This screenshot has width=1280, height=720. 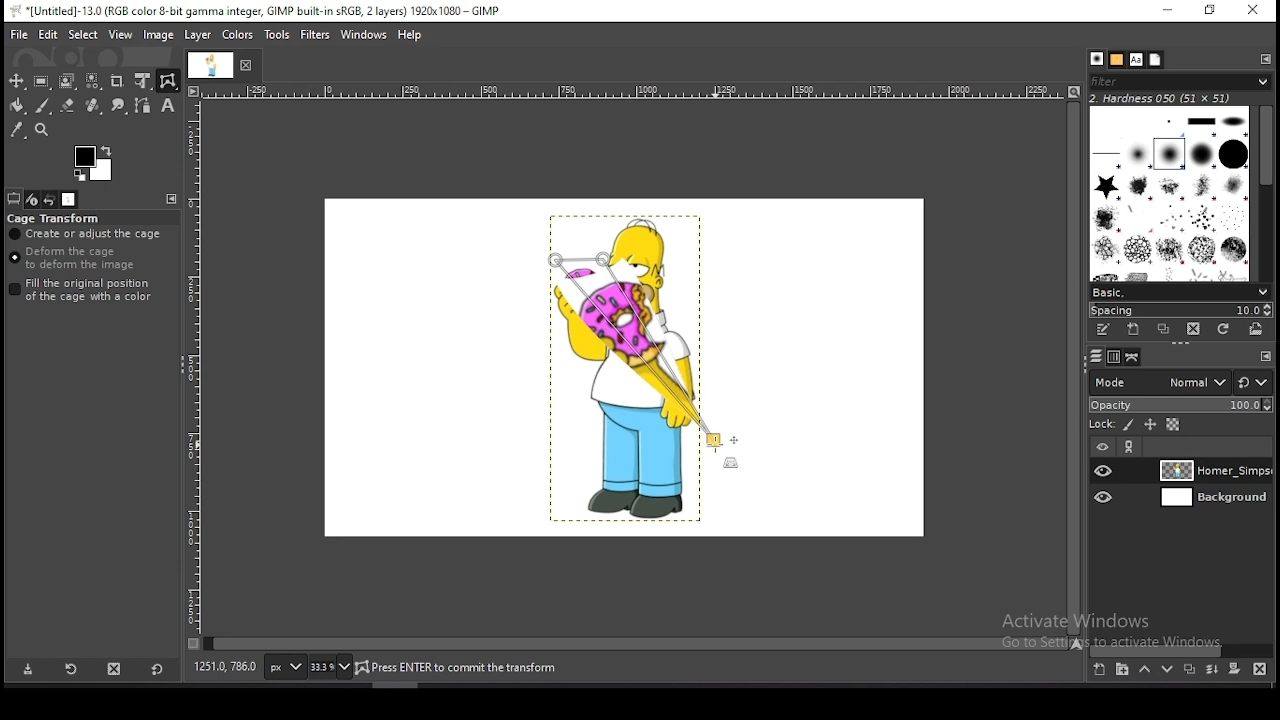 What do you see at coordinates (168, 81) in the screenshot?
I see `cage transform` at bounding box center [168, 81].